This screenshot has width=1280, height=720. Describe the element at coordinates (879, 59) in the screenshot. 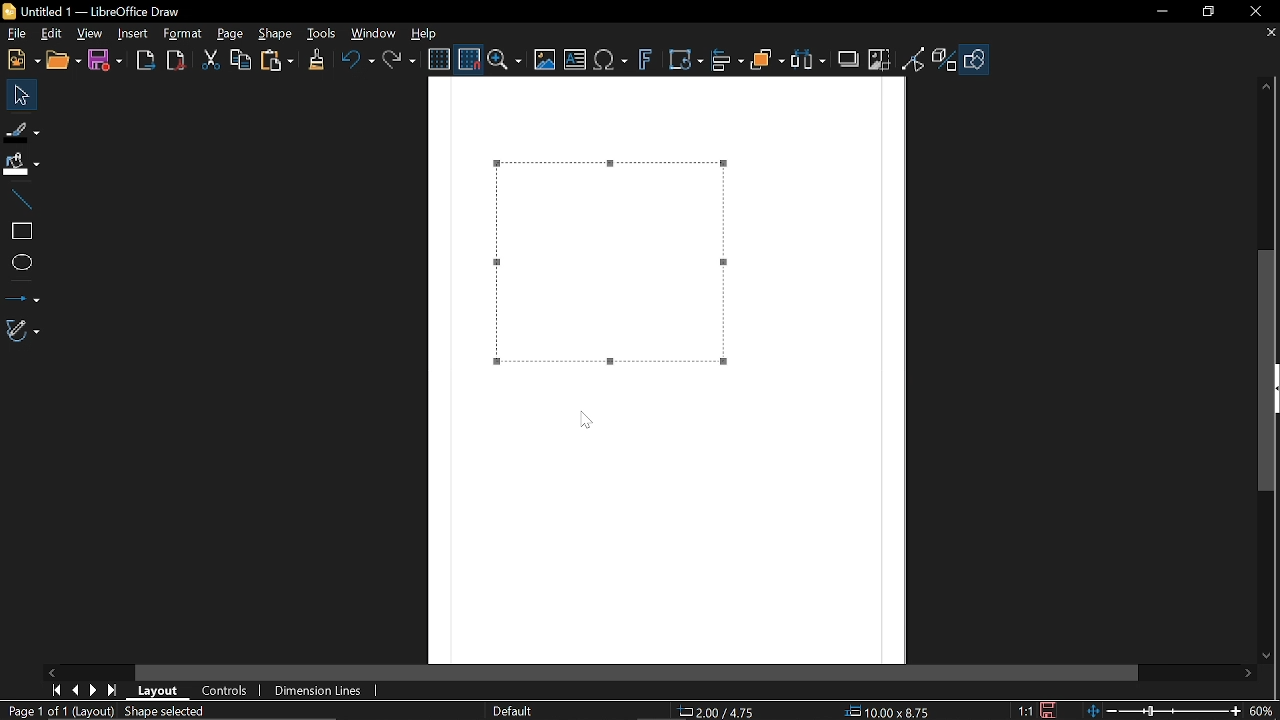

I see `Crop` at that location.